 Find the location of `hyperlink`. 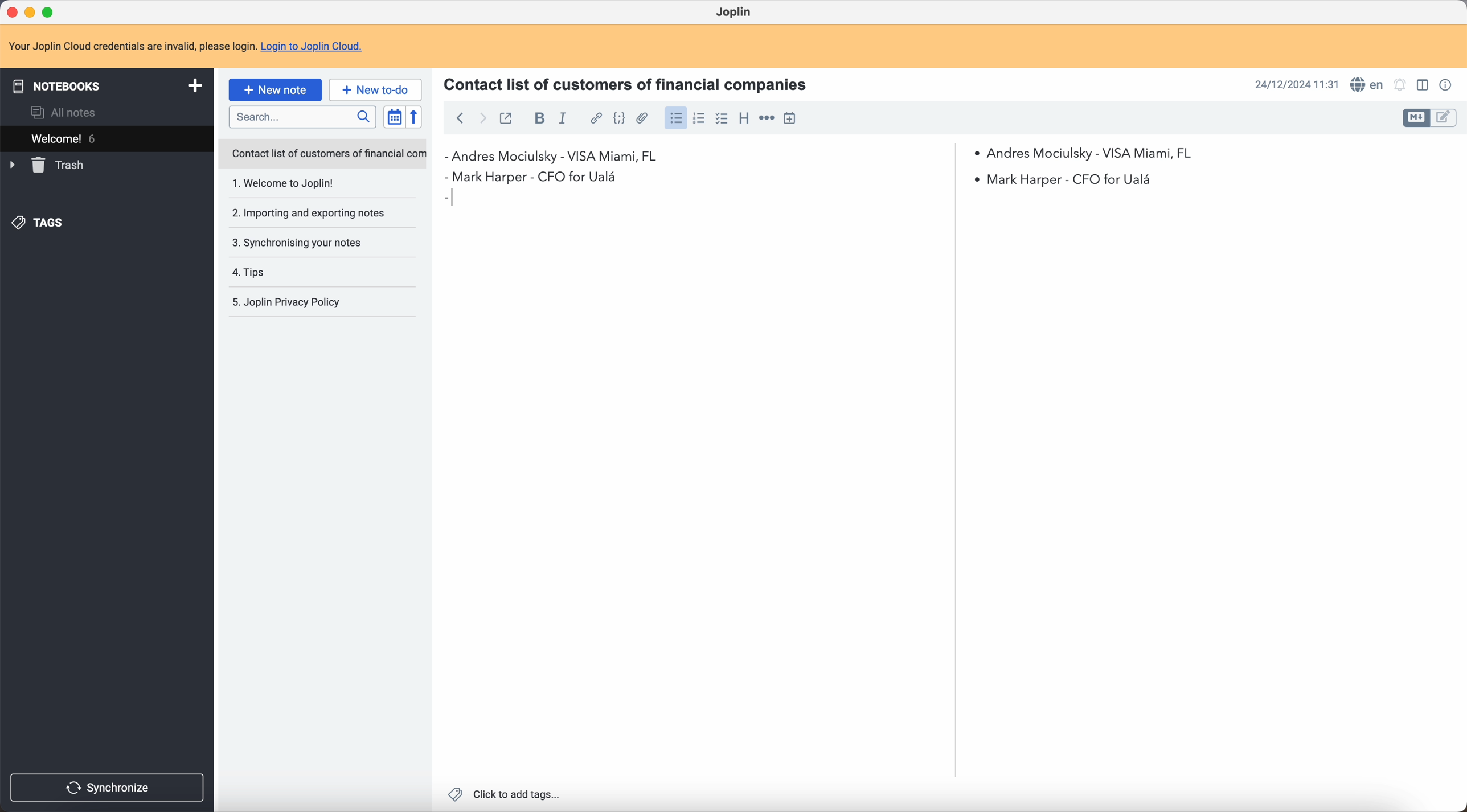

hyperlink is located at coordinates (595, 118).